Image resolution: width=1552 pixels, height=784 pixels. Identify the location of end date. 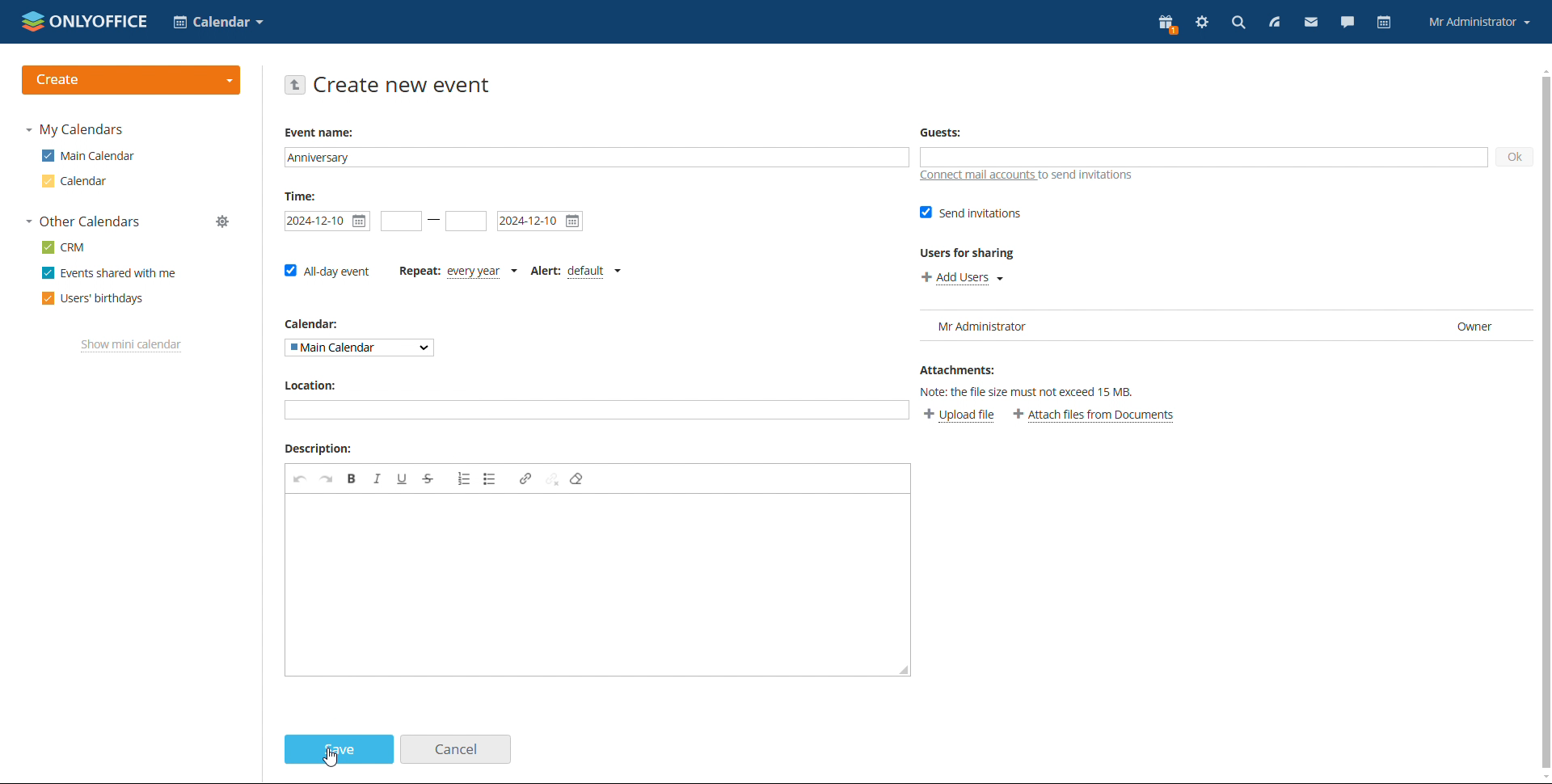
(541, 221).